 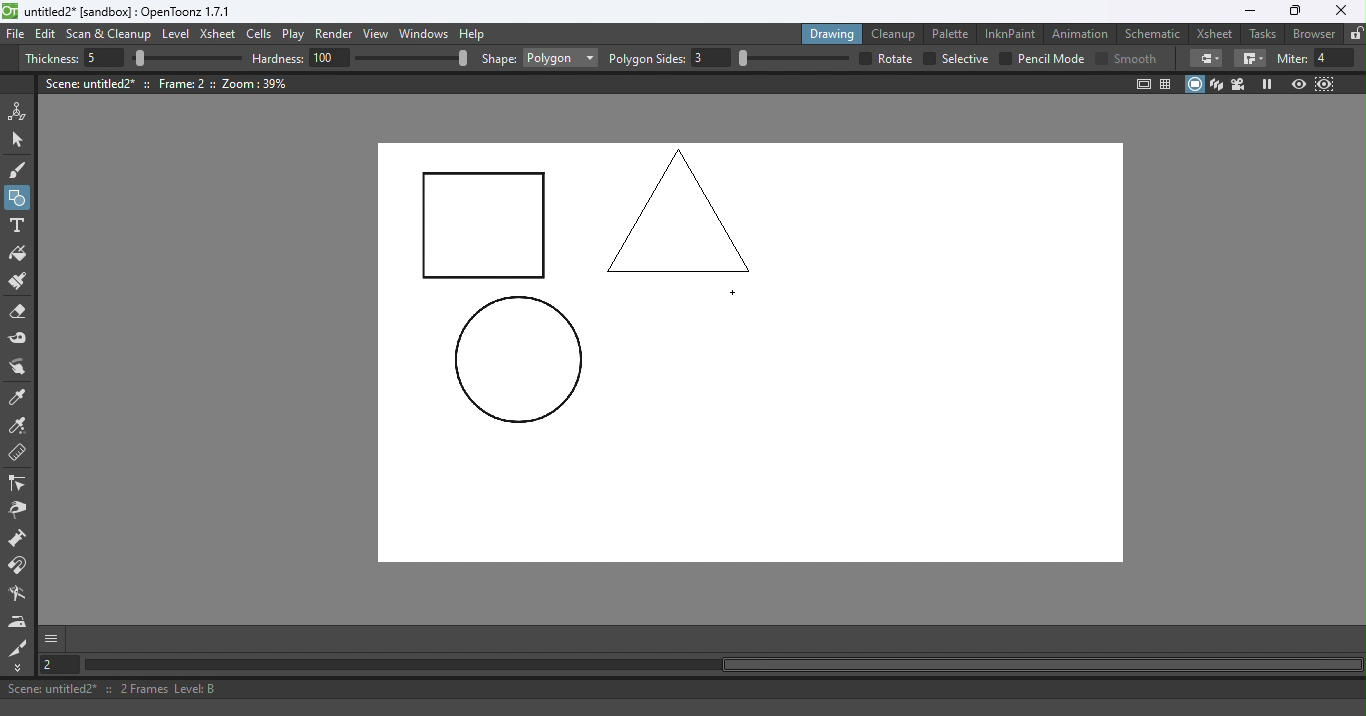 What do you see at coordinates (1169, 83) in the screenshot?
I see `Field guide` at bounding box center [1169, 83].